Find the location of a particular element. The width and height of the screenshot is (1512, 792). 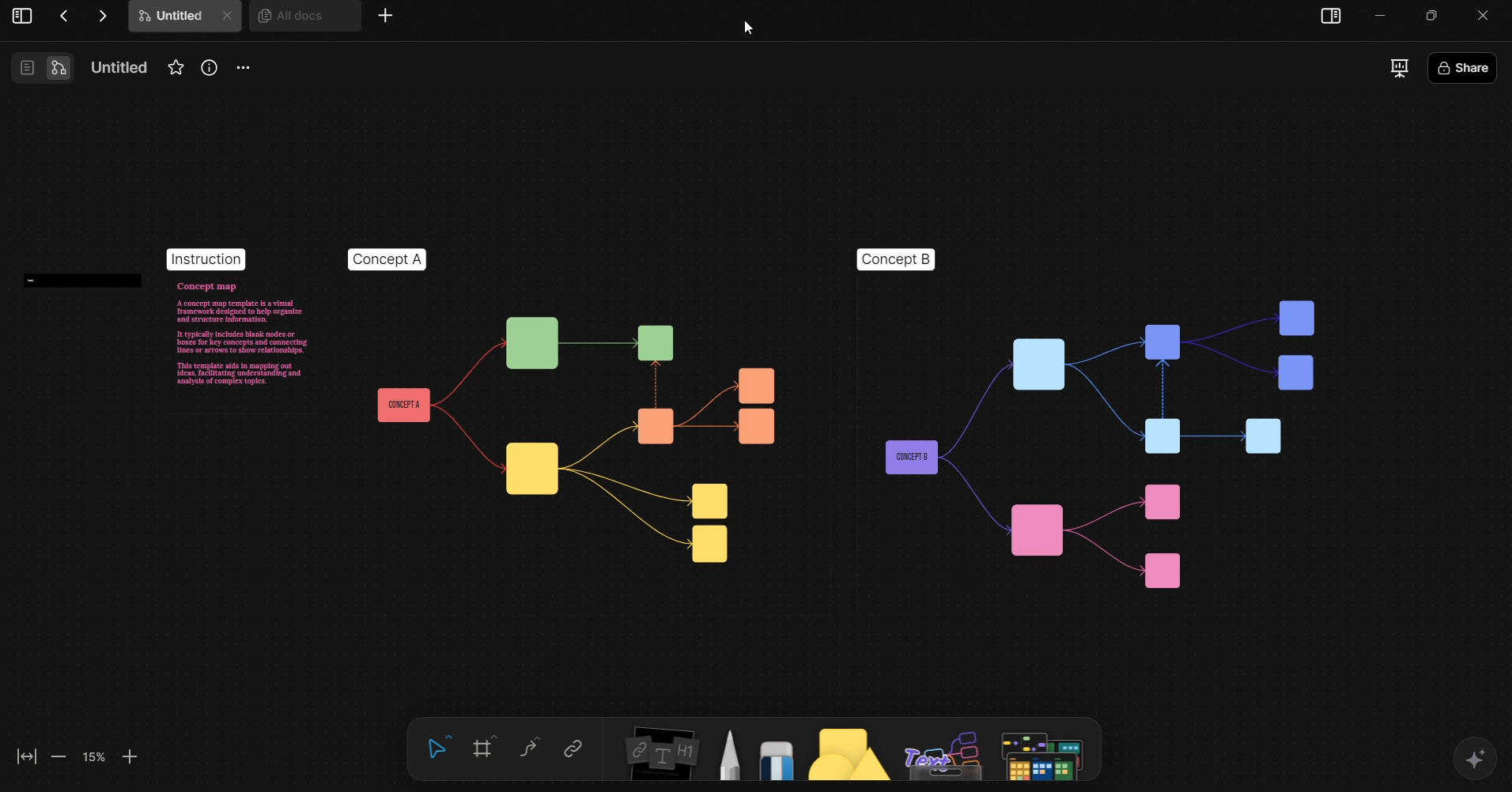

sidebar is located at coordinates (1333, 17).